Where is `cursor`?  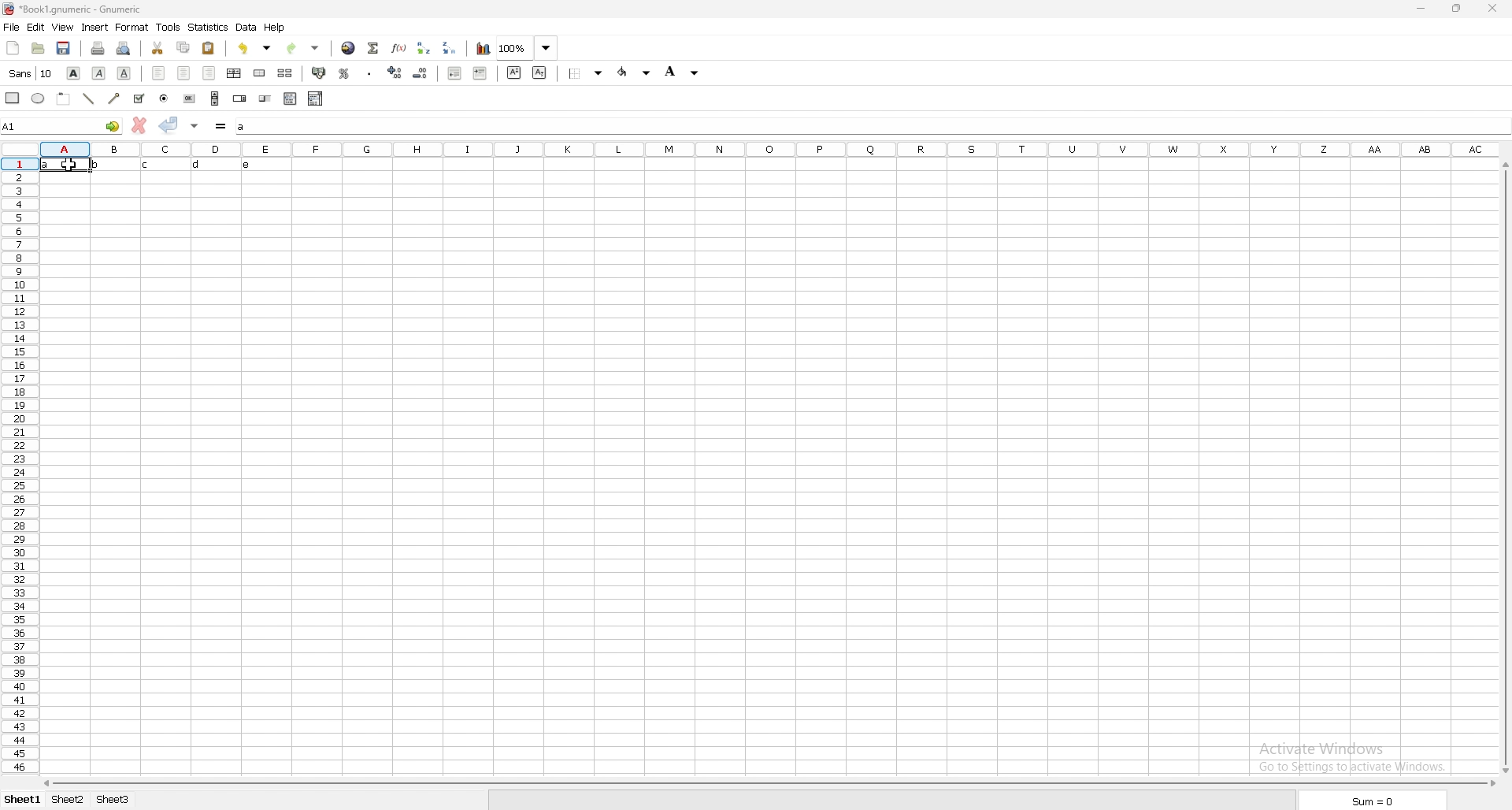
cursor is located at coordinates (74, 166).